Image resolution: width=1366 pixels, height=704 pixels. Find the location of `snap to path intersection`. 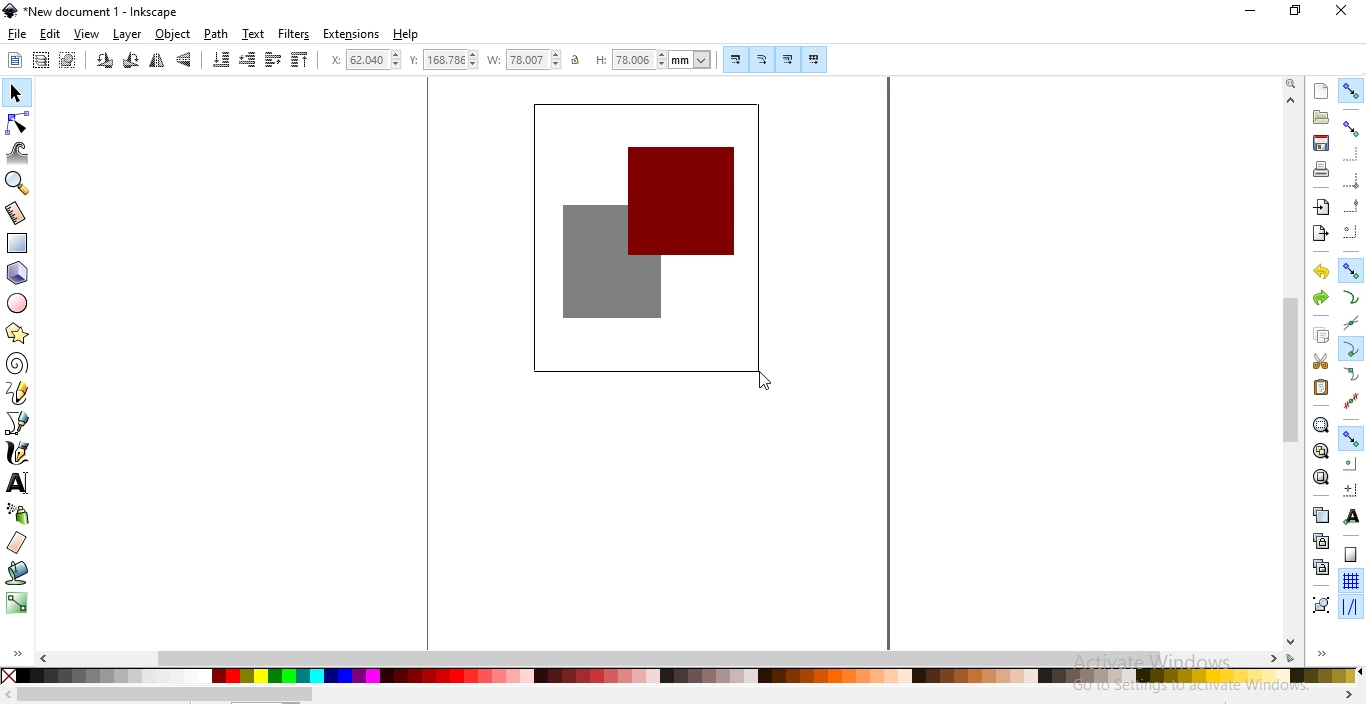

snap to path intersection is located at coordinates (1349, 324).